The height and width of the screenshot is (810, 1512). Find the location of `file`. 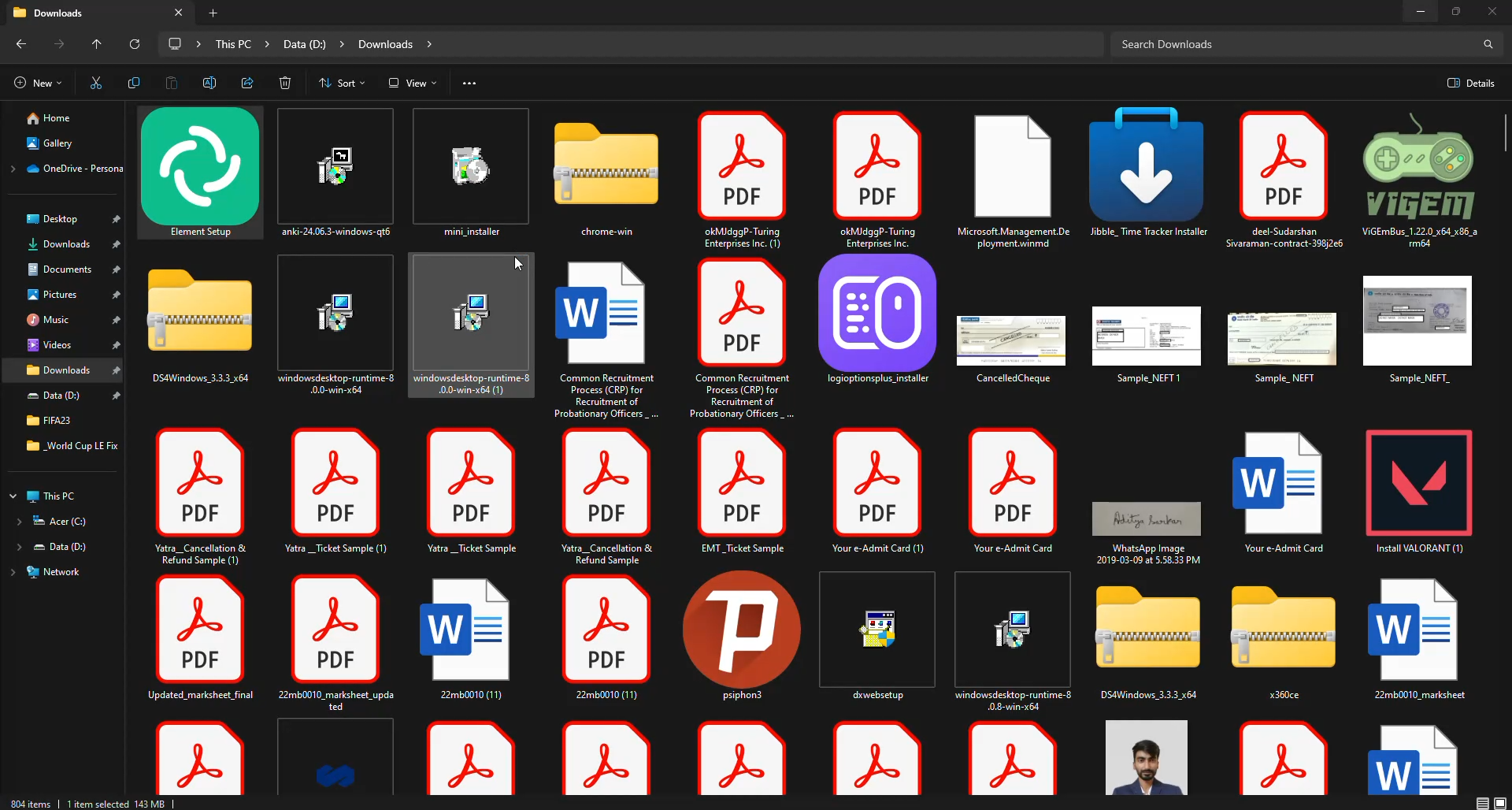

file is located at coordinates (752, 759).